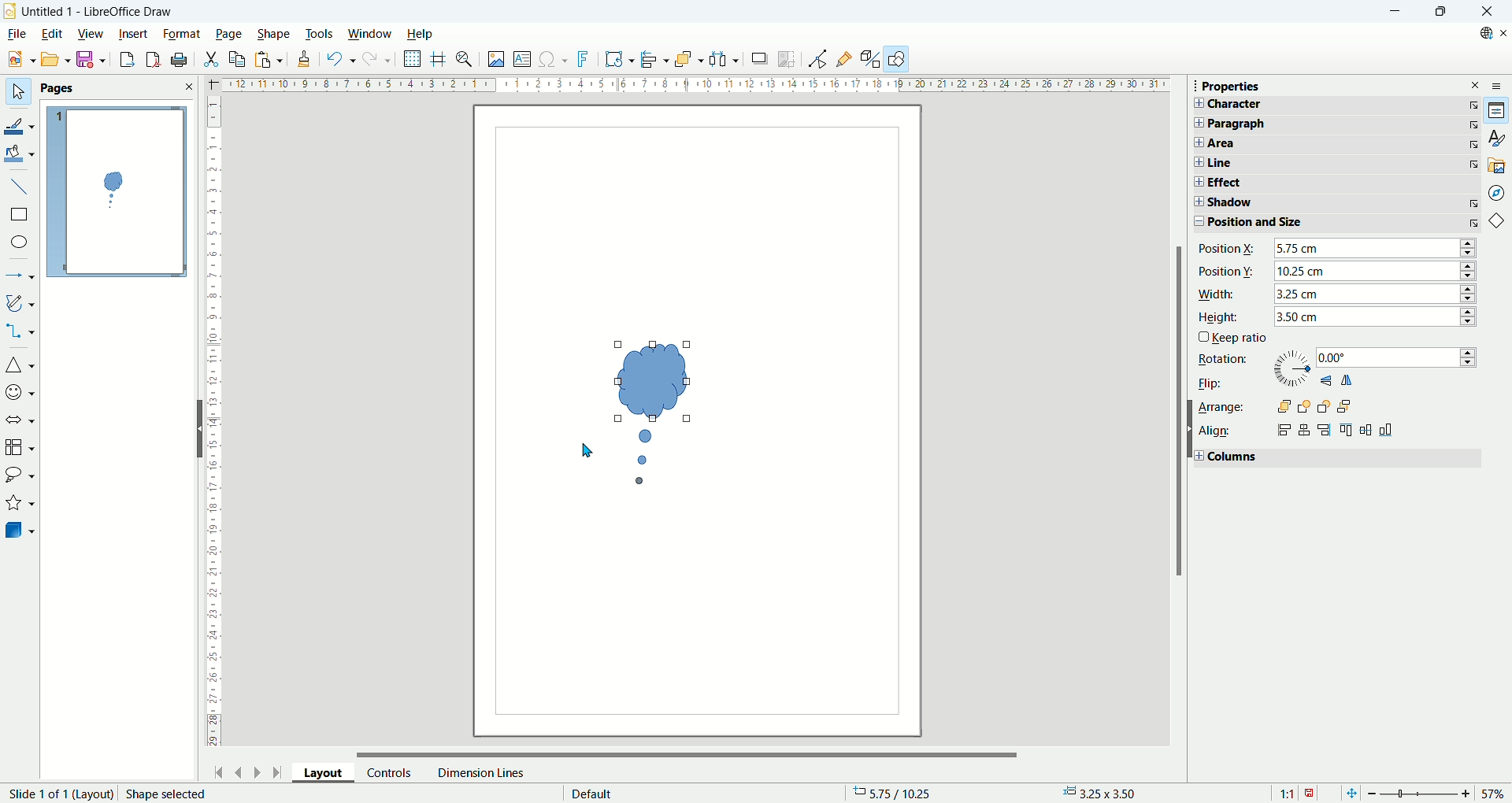  I want to click on Angle of rotation, so click(1397, 357).